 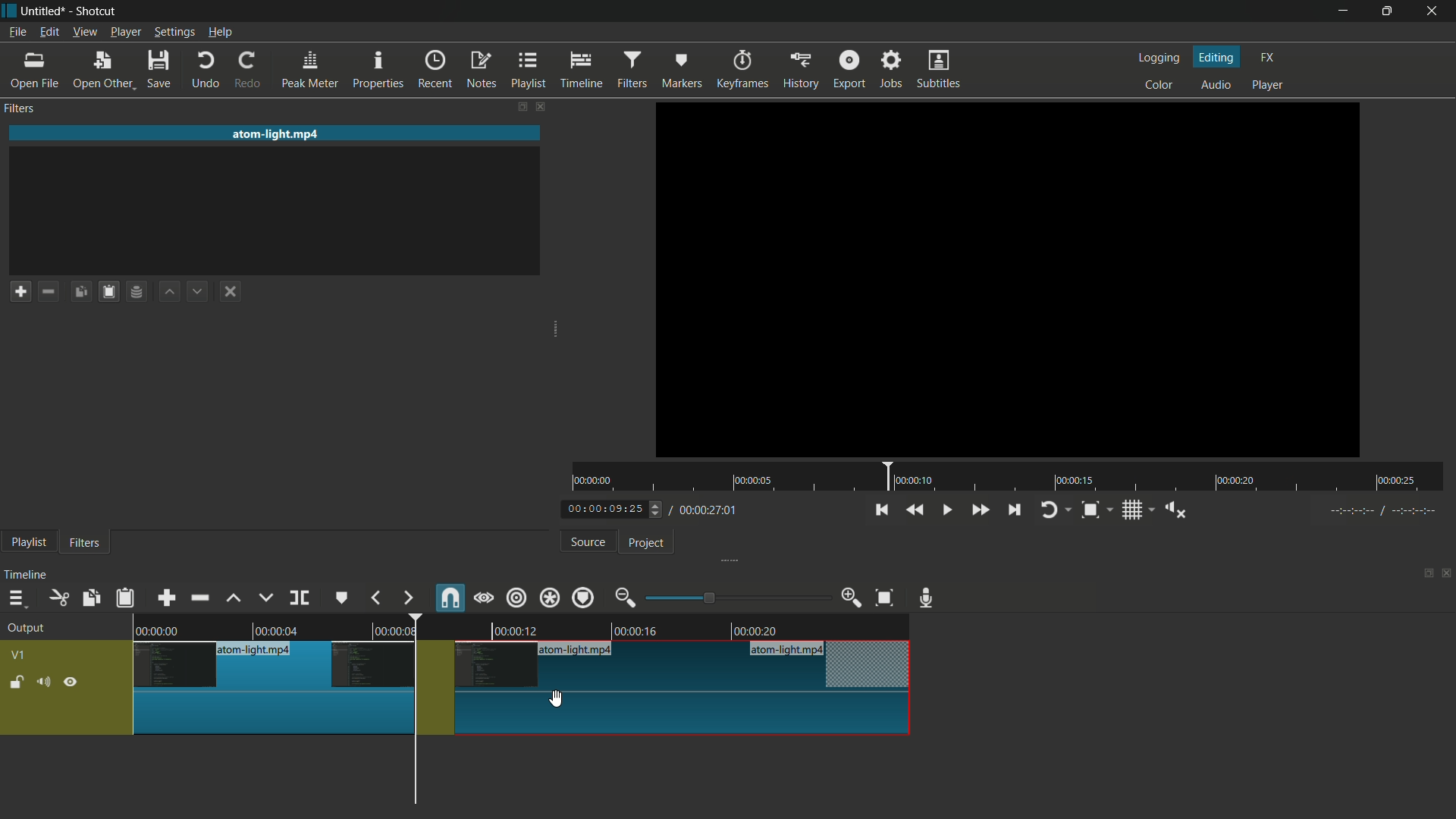 What do you see at coordinates (310, 71) in the screenshot?
I see `peak meter` at bounding box center [310, 71].